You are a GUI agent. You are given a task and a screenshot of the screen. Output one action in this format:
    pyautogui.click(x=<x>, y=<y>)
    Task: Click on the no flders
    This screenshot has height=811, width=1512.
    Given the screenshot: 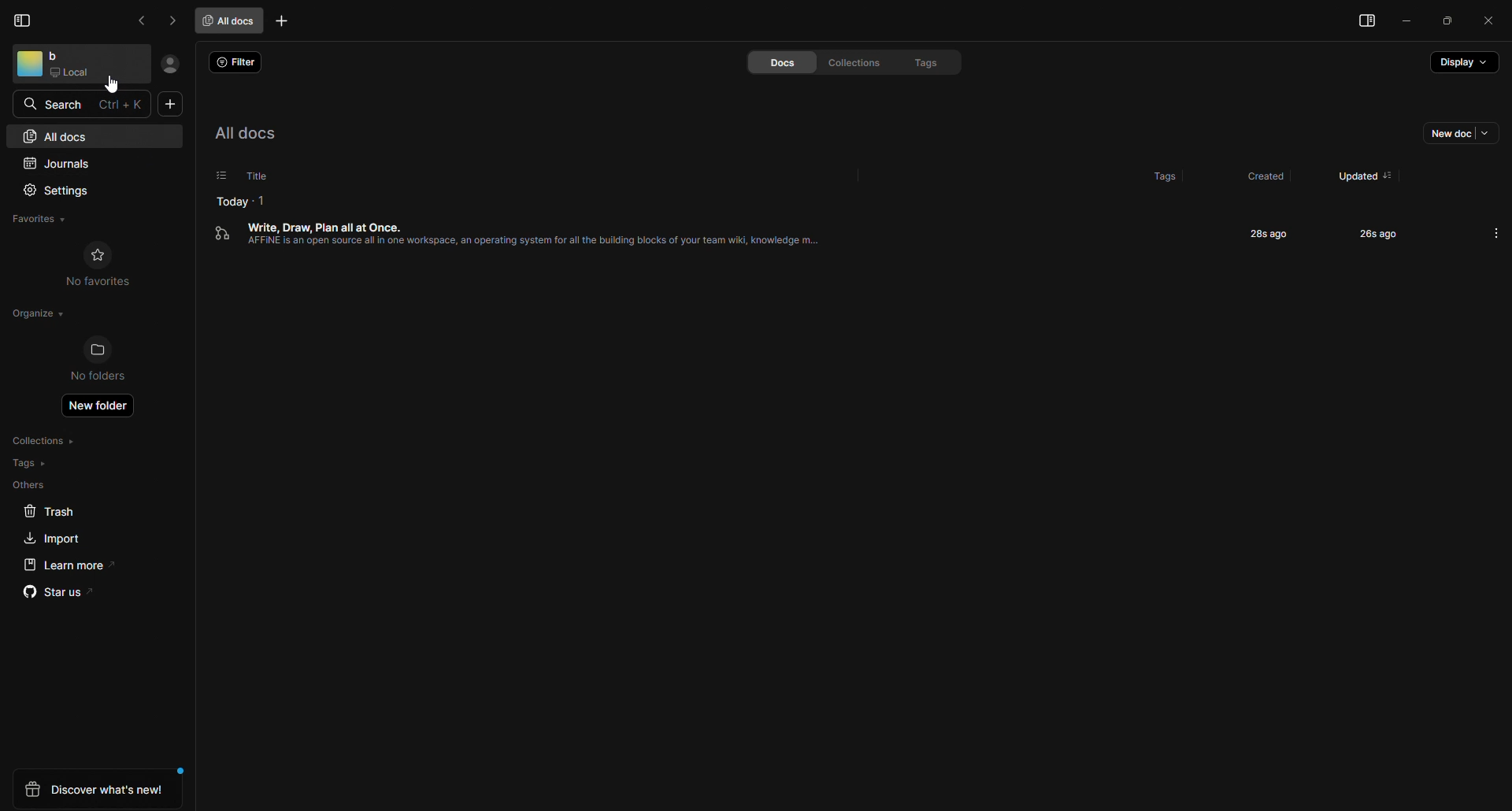 What is the action you would take?
    pyautogui.click(x=107, y=361)
    